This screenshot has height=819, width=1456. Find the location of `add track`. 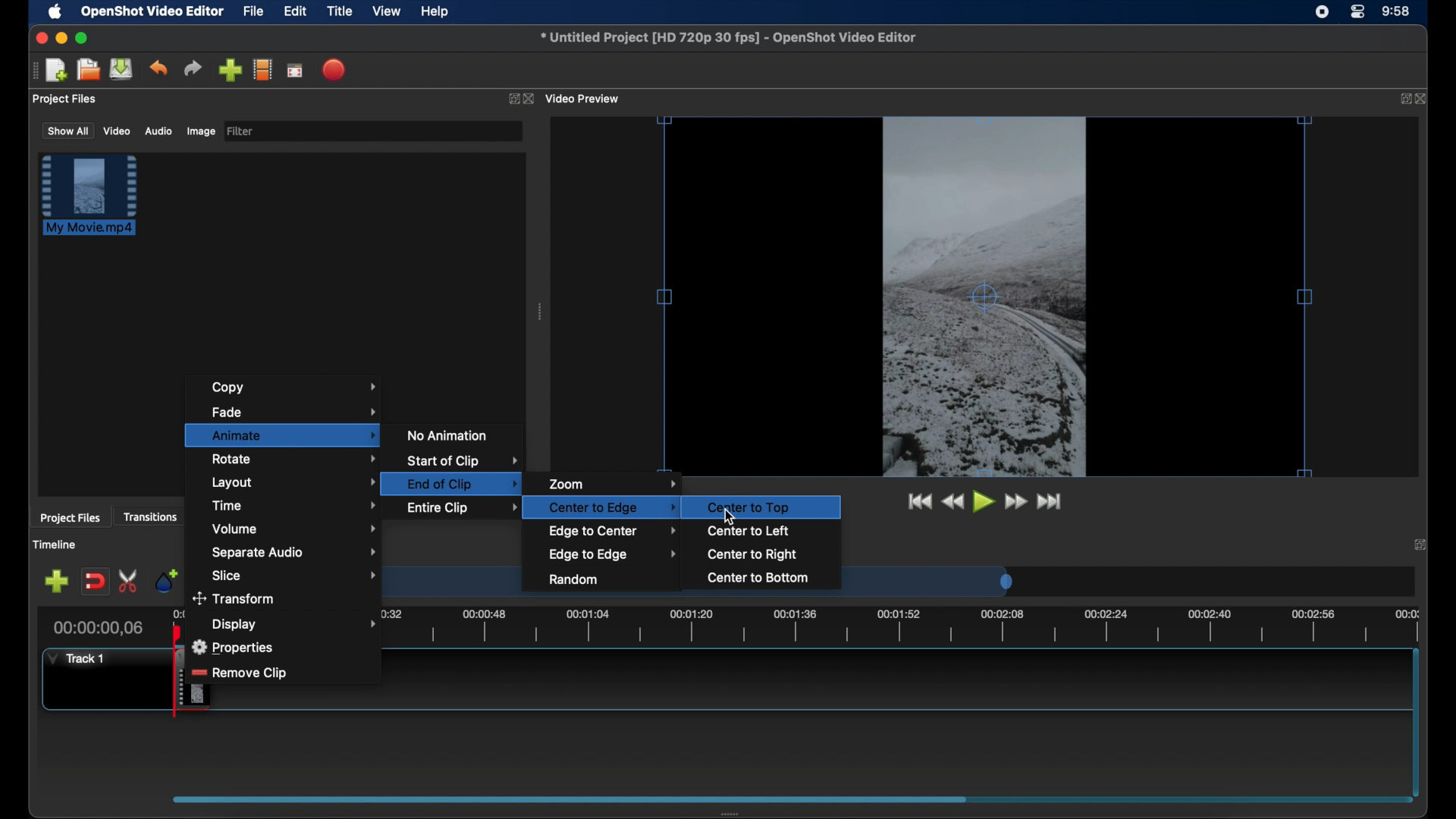

add track is located at coordinates (56, 582).